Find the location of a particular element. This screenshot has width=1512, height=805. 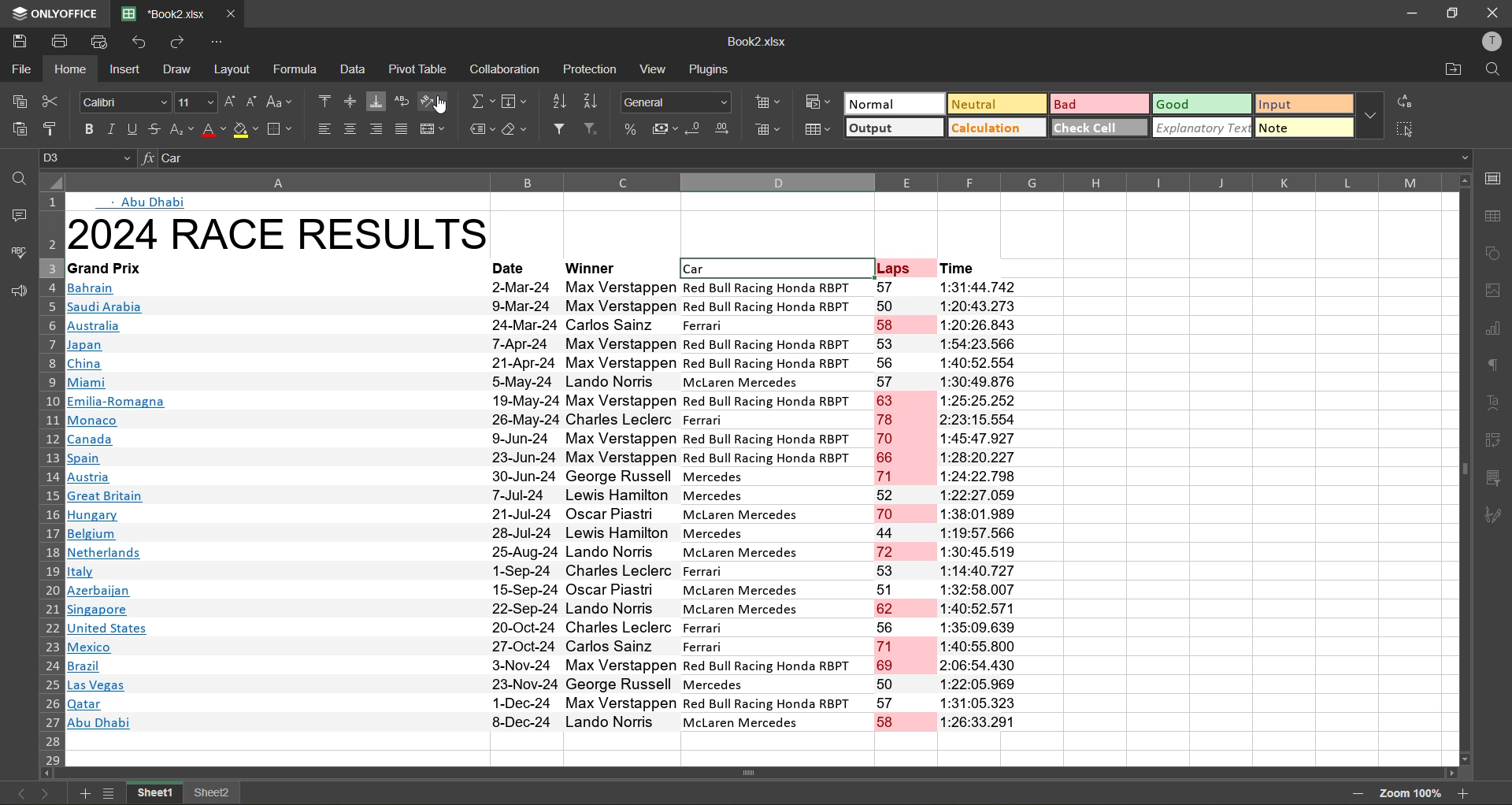

table is located at coordinates (1496, 218).